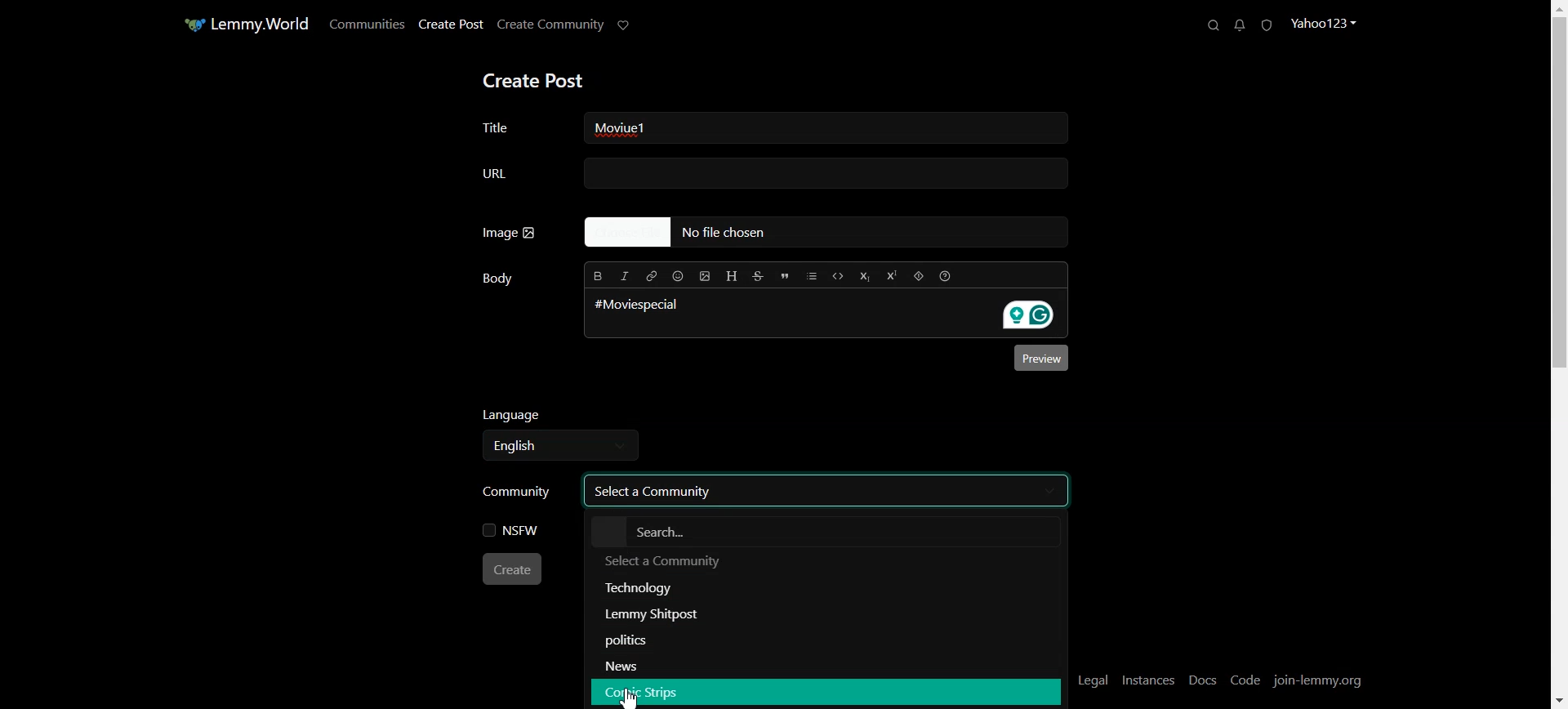 The image size is (1568, 709). What do you see at coordinates (809, 275) in the screenshot?
I see `List` at bounding box center [809, 275].